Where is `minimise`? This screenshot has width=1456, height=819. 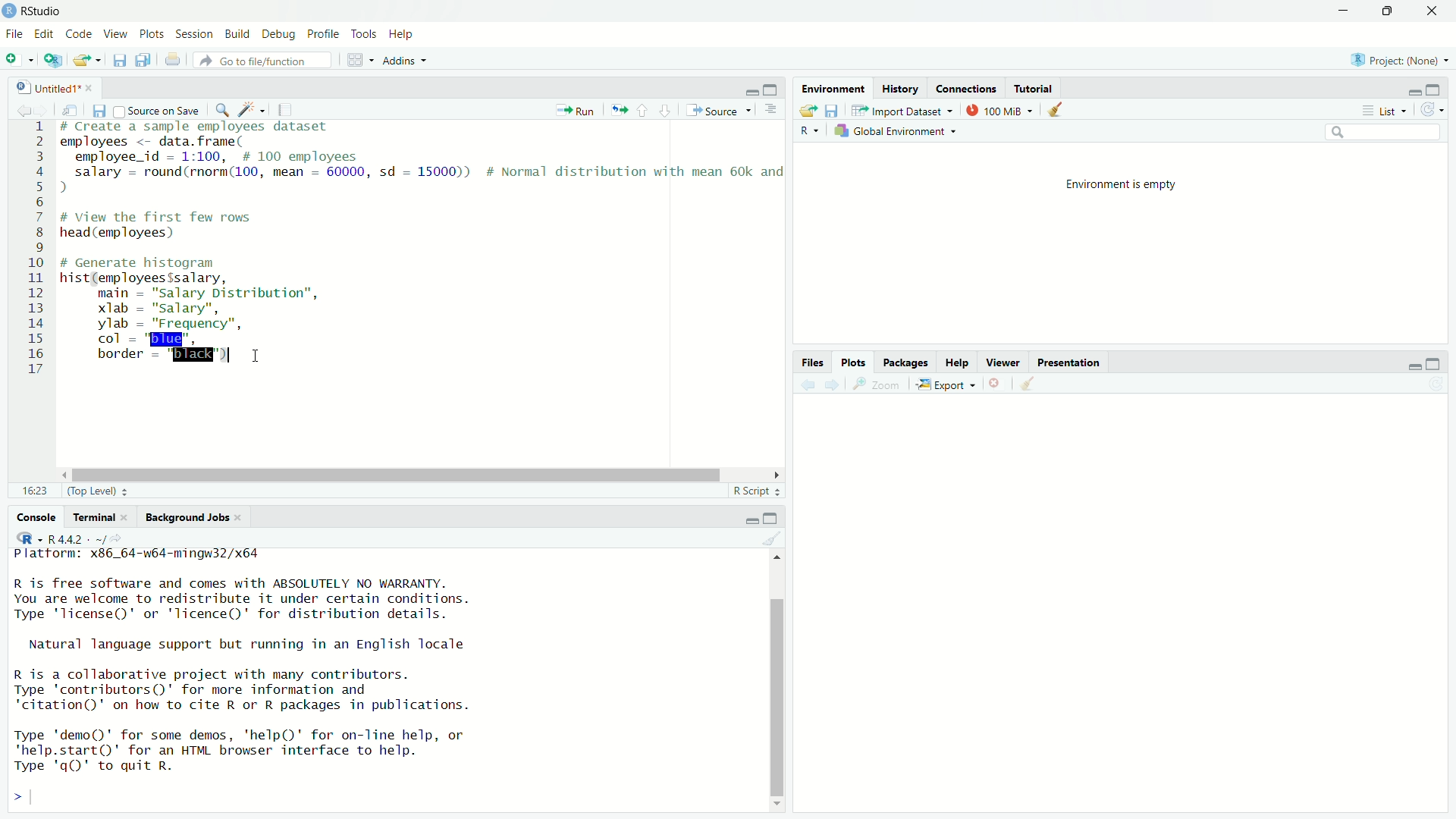 minimise is located at coordinates (751, 92).